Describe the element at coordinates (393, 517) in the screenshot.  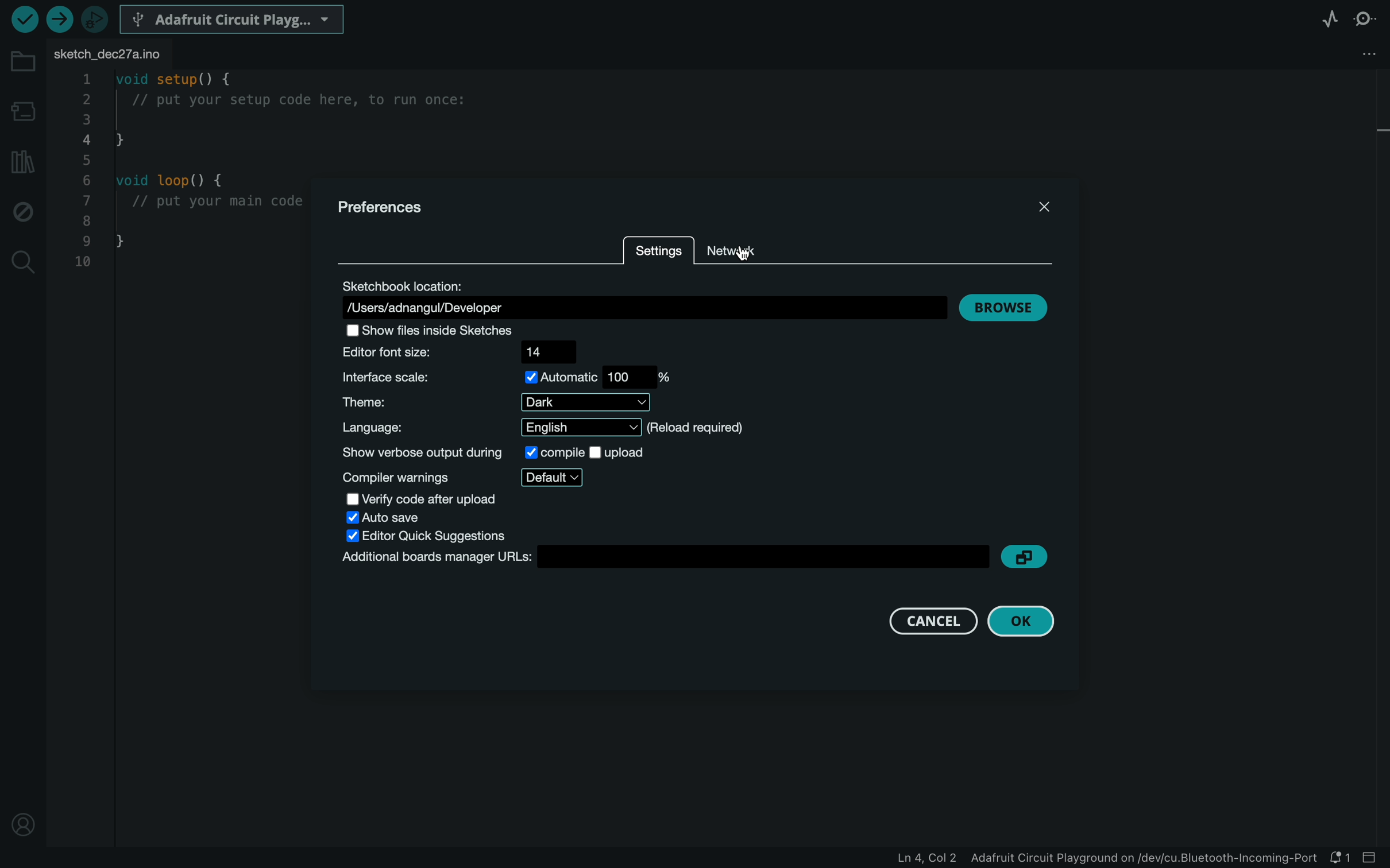
I see `auto save` at that location.